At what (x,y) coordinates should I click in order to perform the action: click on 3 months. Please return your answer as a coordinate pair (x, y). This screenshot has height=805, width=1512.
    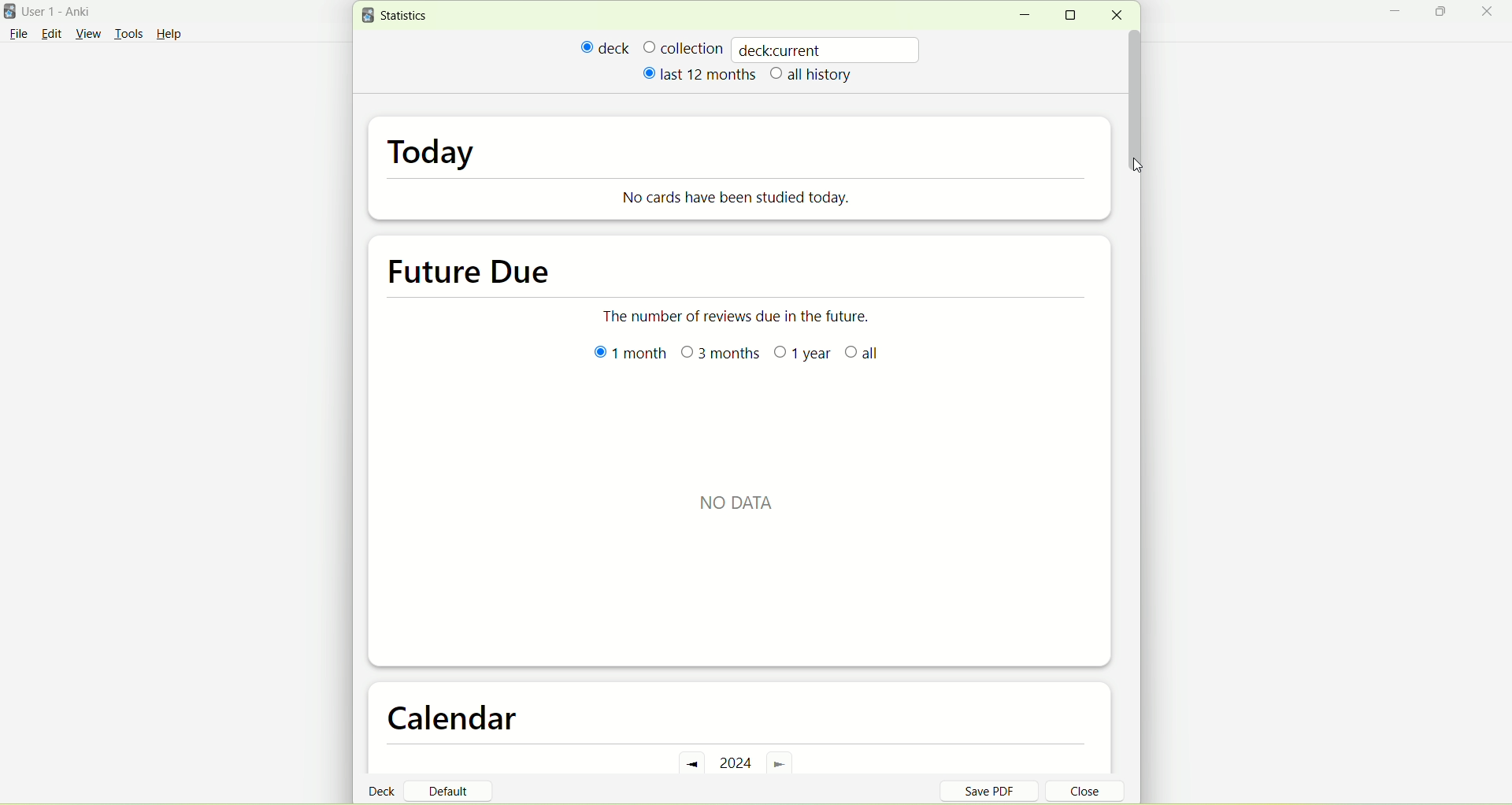
    Looking at the image, I should click on (721, 354).